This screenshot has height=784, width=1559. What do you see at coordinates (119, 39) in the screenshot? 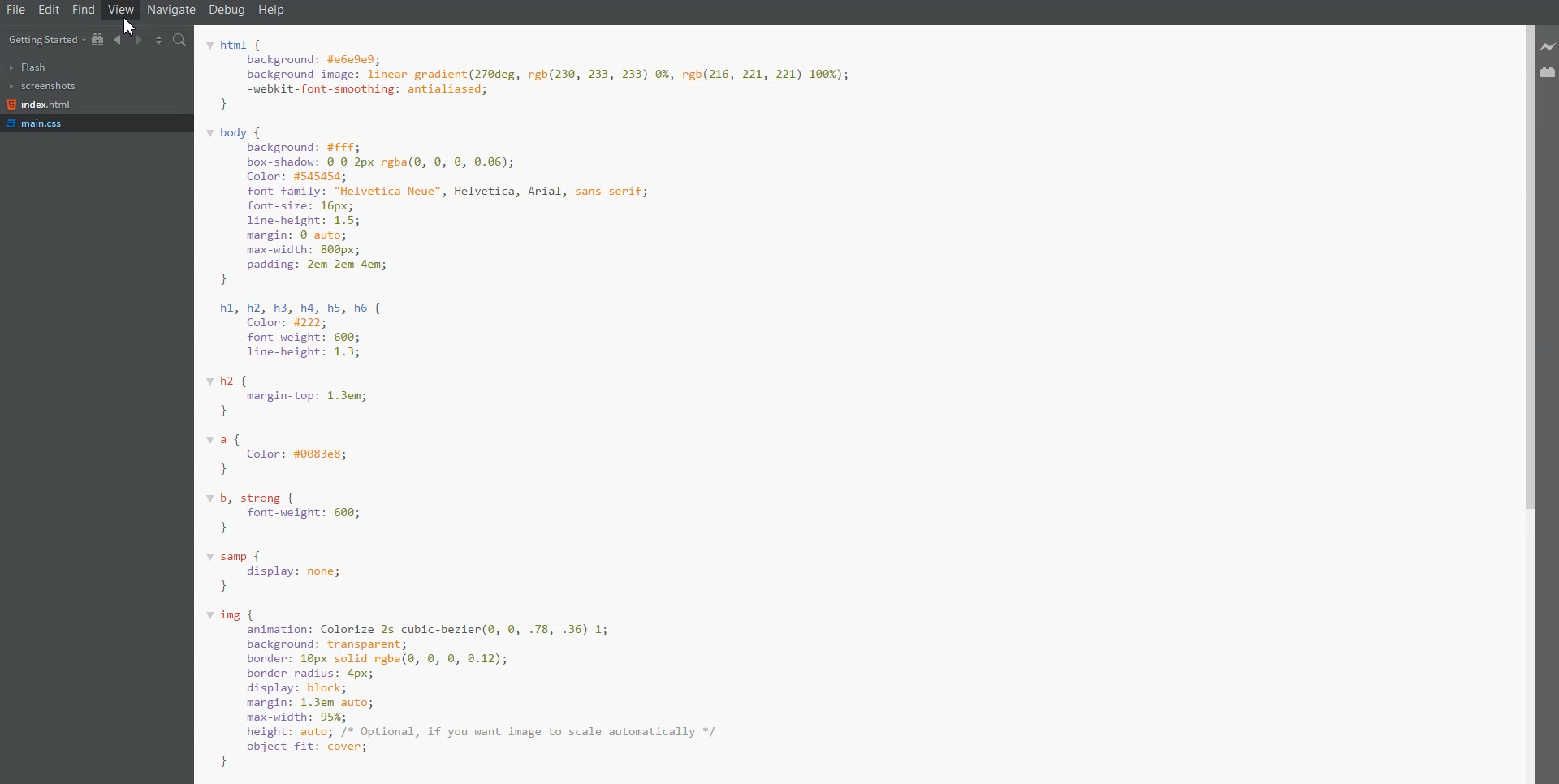
I see `Navigate Backwards` at bounding box center [119, 39].